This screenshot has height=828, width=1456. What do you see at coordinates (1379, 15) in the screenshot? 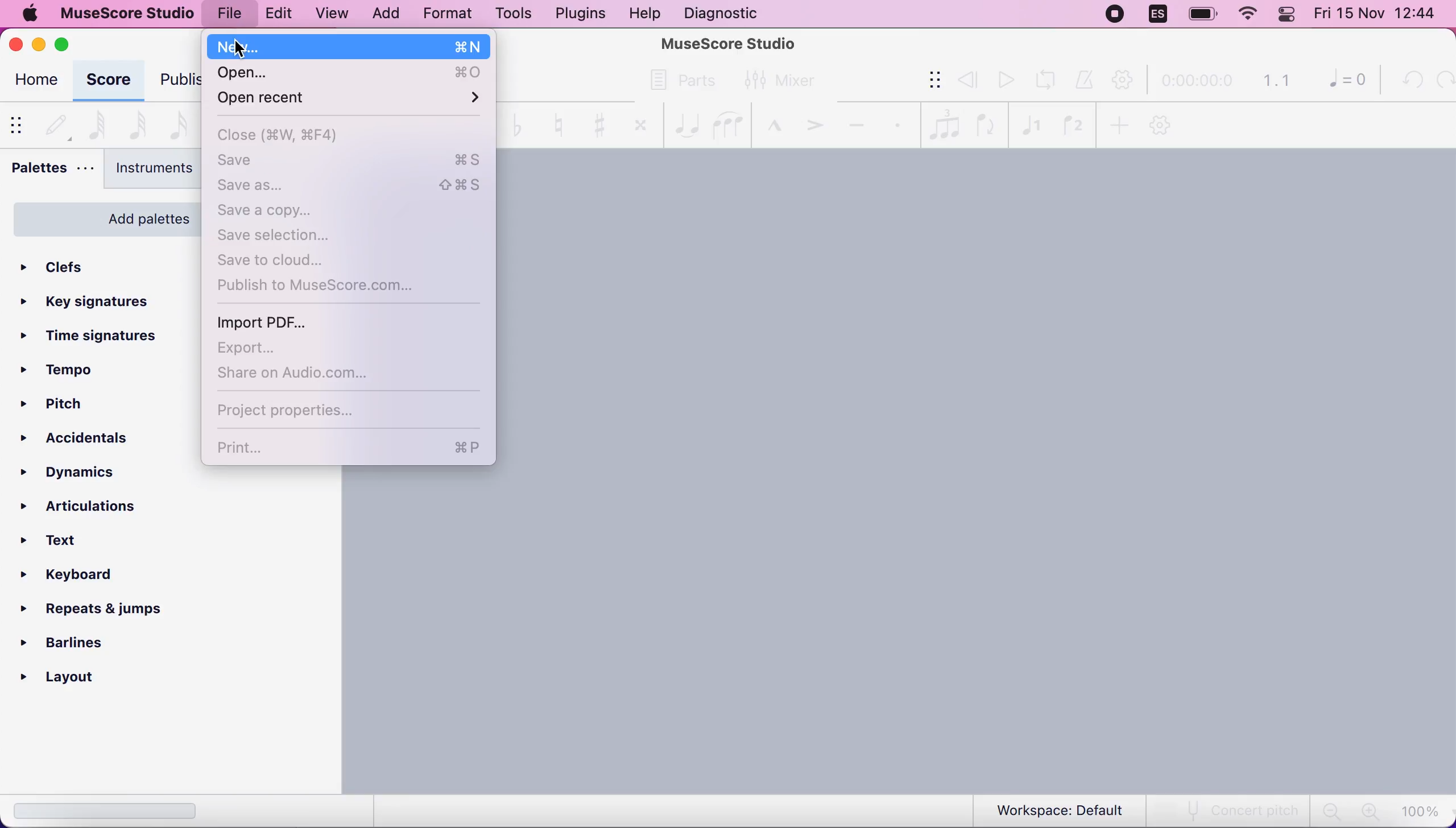
I see `Fri 15 Nov 12:44` at bounding box center [1379, 15].